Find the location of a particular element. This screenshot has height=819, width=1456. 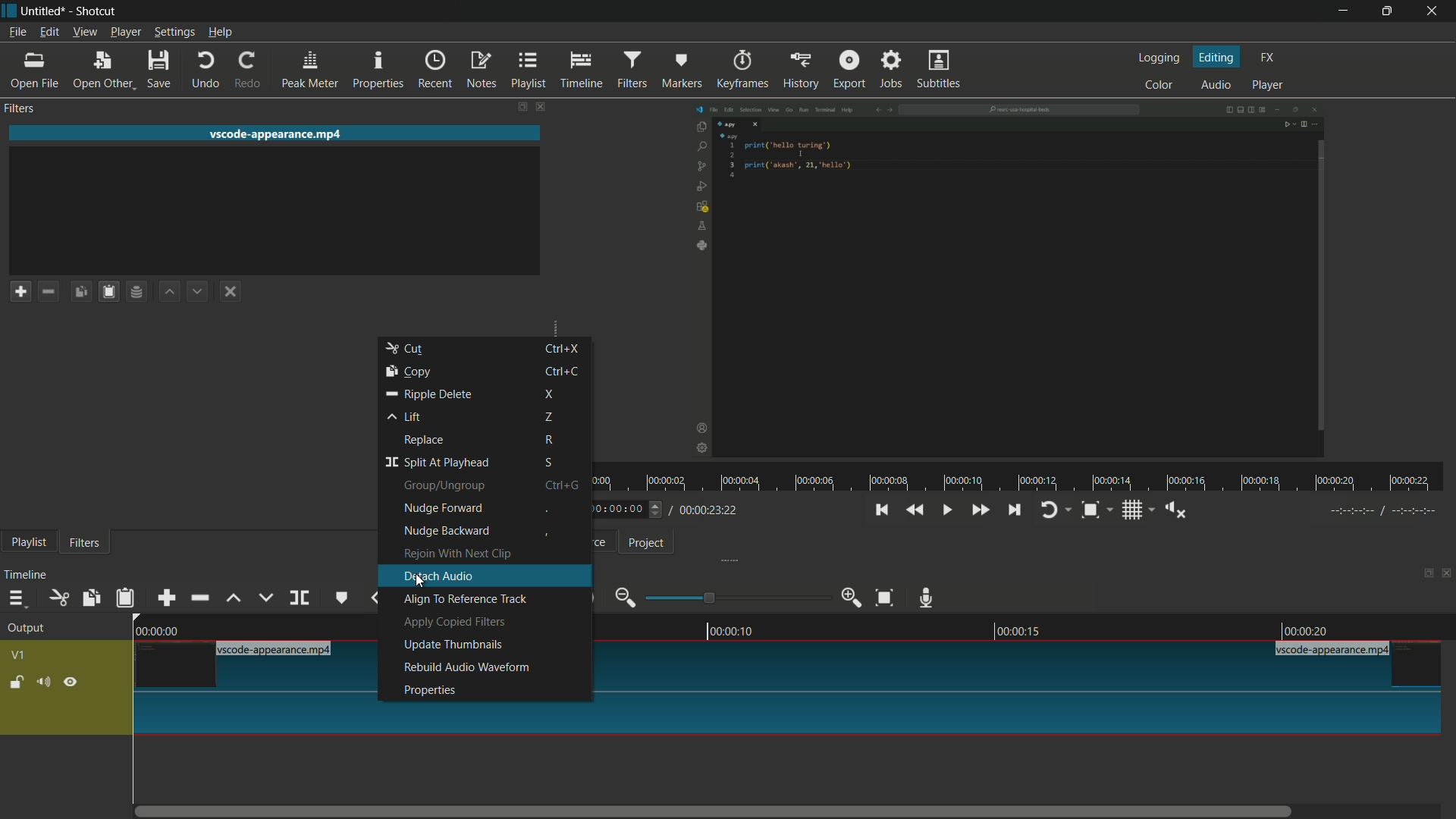

time is located at coordinates (1026, 477).